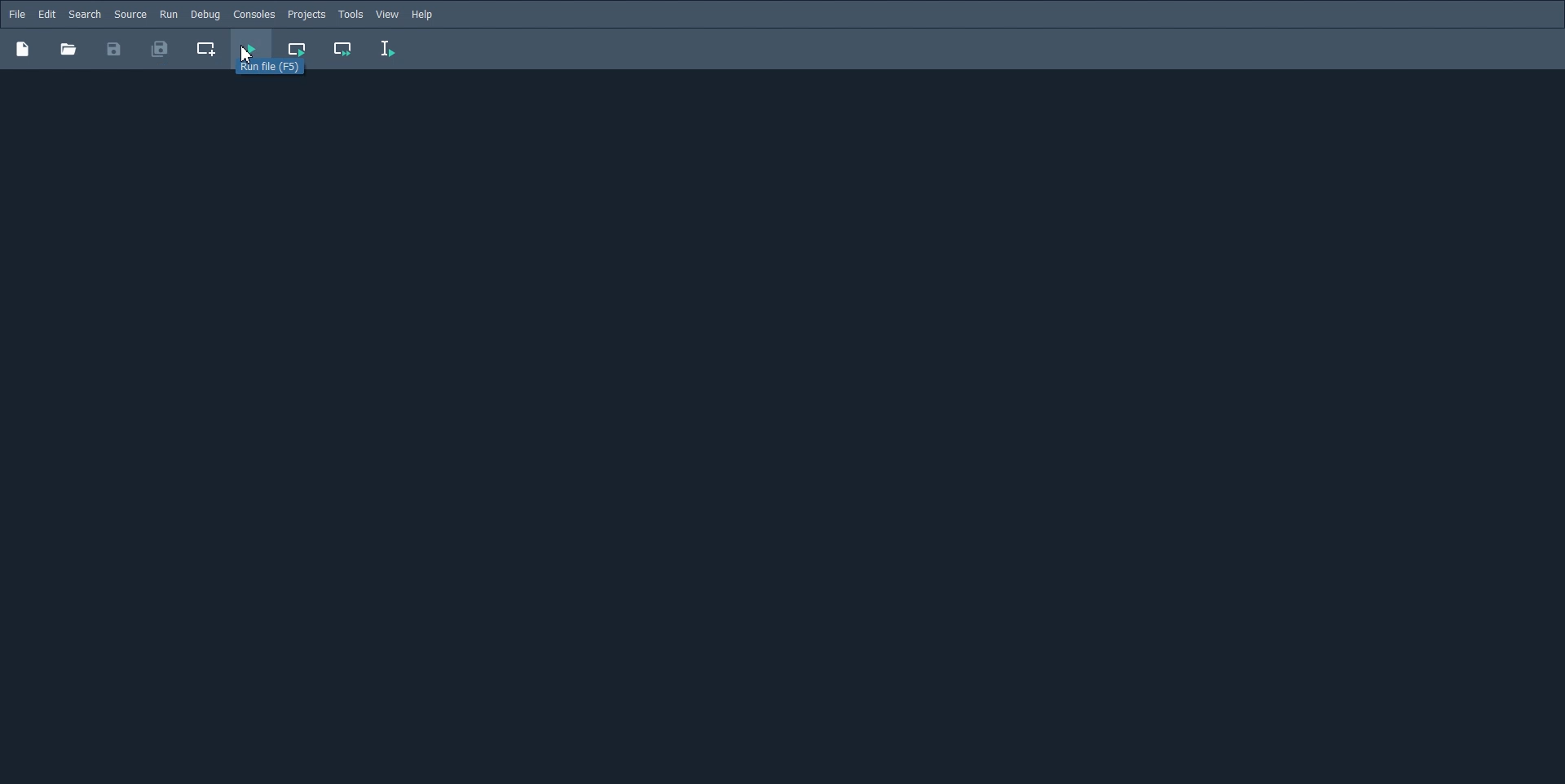 The height and width of the screenshot is (784, 1565). Describe the element at coordinates (424, 15) in the screenshot. I see `Help` at that location.